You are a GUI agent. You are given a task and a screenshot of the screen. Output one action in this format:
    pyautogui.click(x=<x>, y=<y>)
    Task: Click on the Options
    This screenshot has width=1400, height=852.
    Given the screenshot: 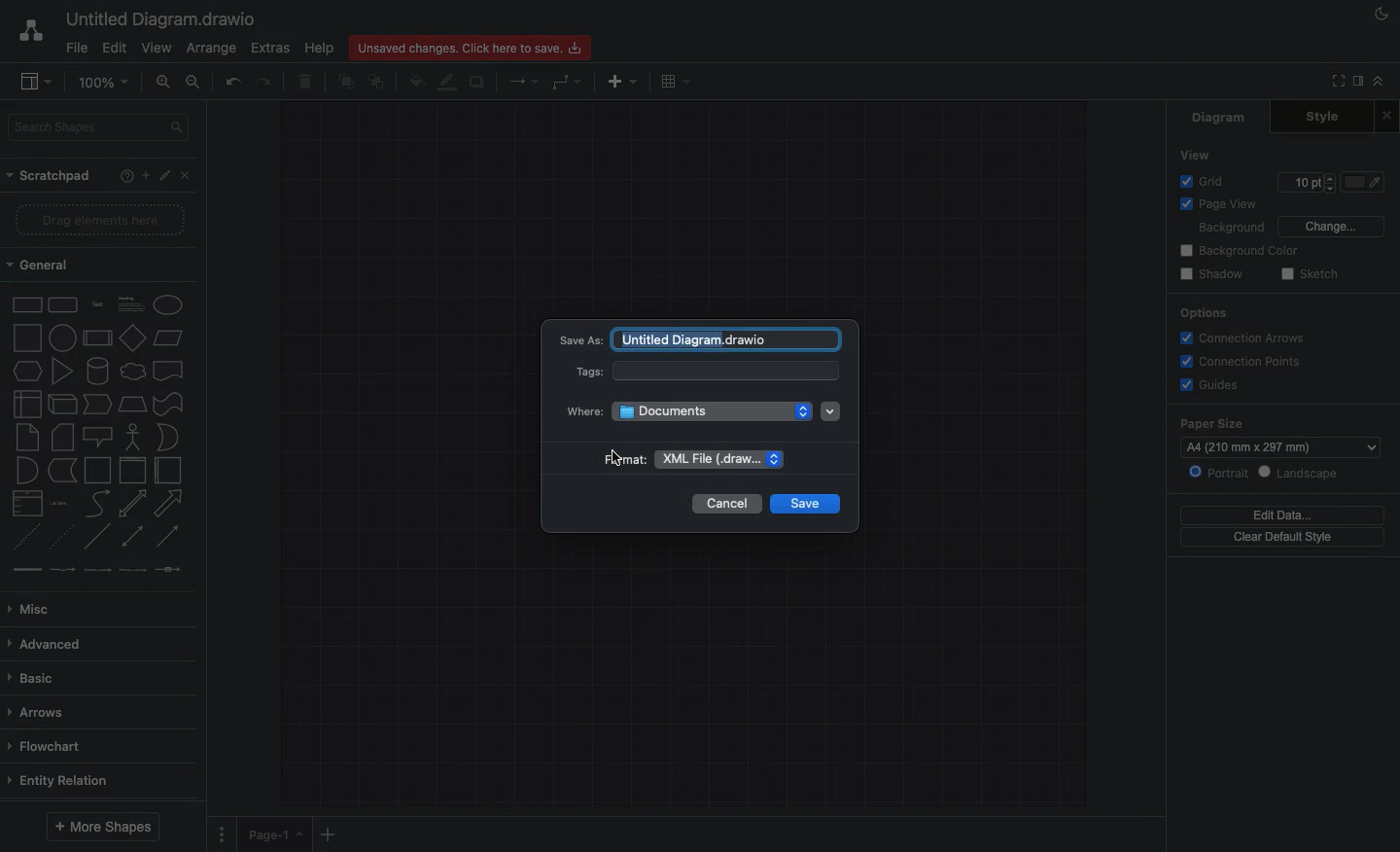 What is the action you would take?
    pyautogui.click(x=223, y=834)
    